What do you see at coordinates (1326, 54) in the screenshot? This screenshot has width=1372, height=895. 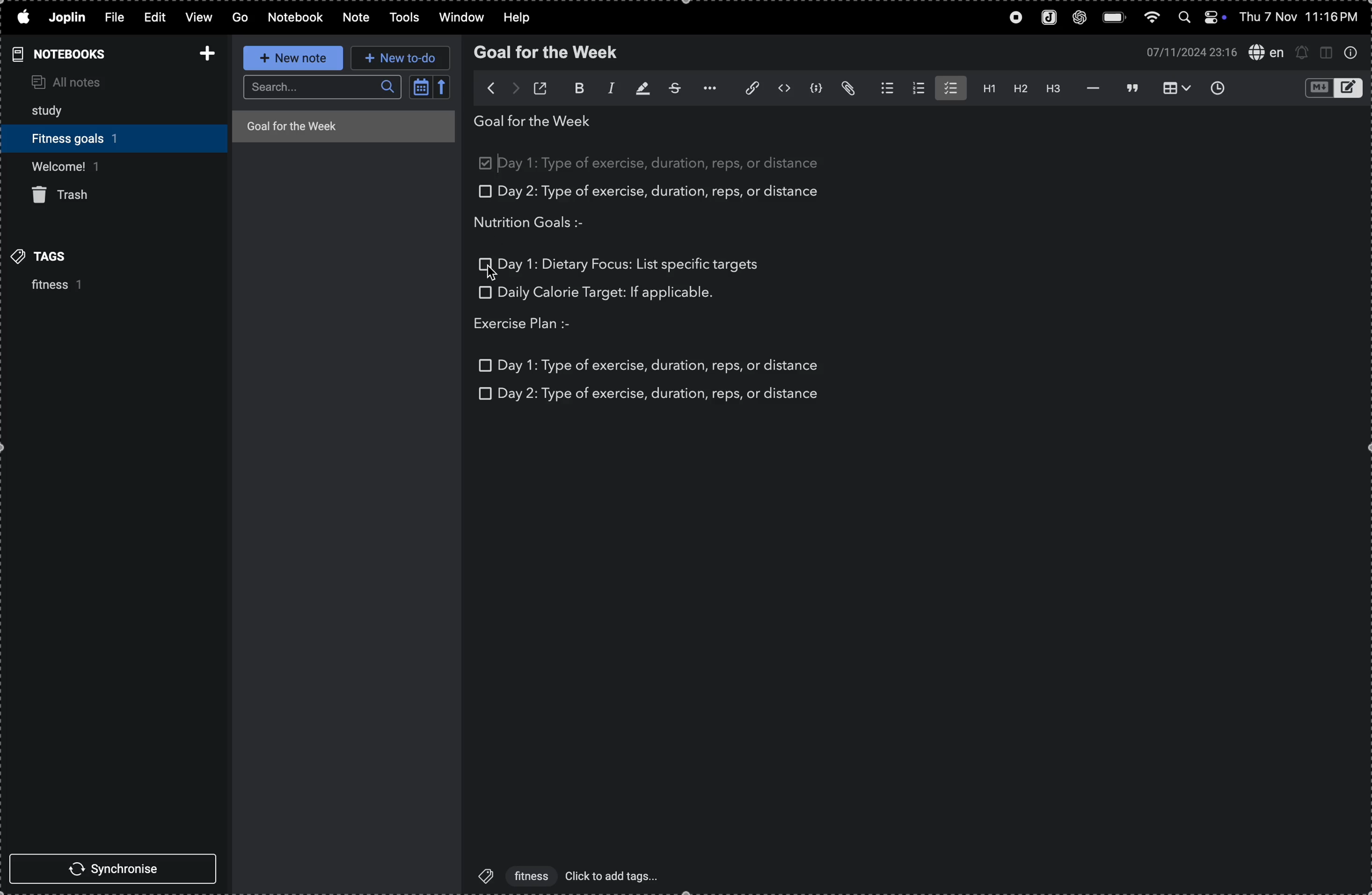 I see `toggle editor layout` at bounding box center [1326, 54].